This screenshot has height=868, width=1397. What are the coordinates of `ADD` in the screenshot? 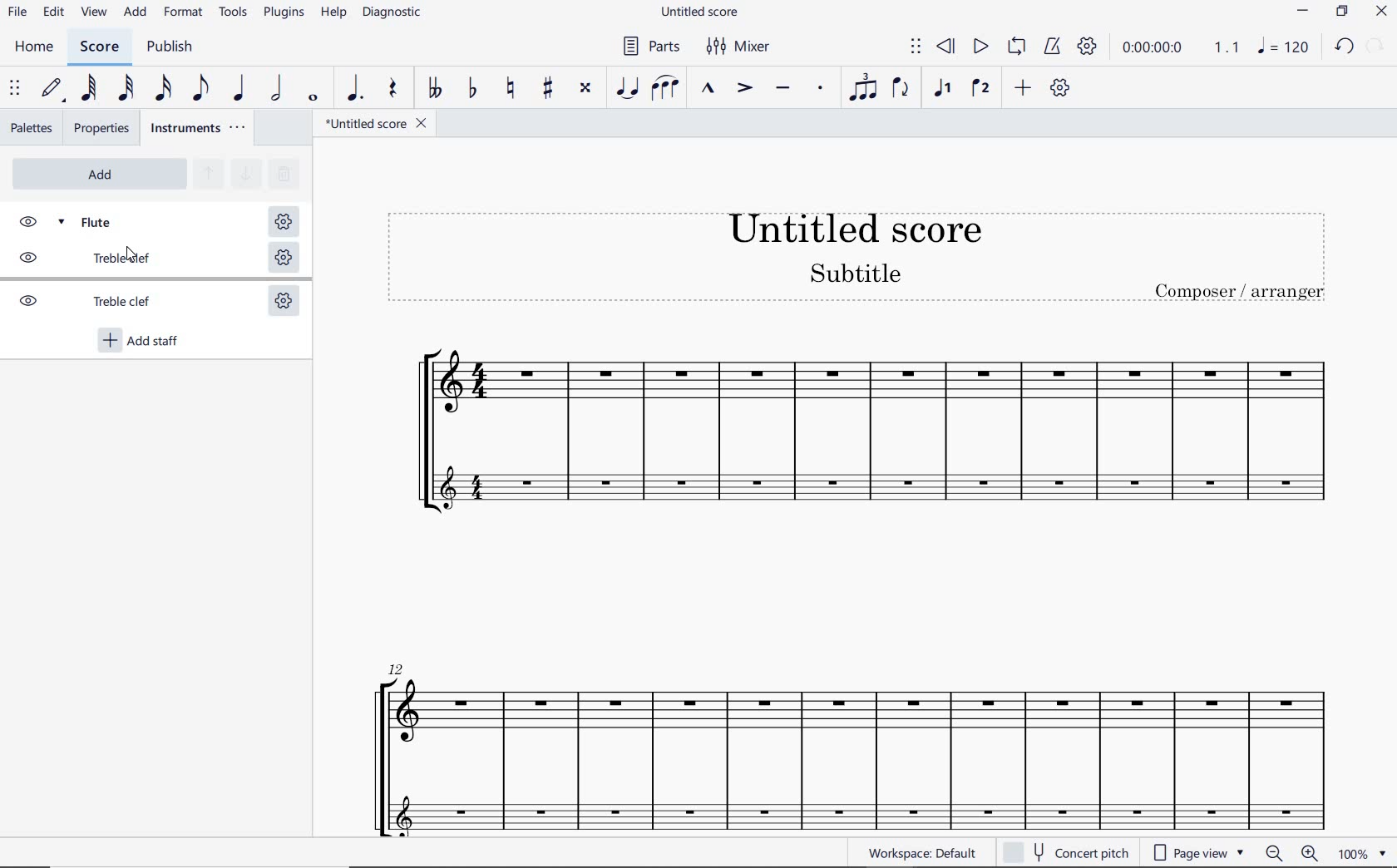 It's located at (1024, 88).